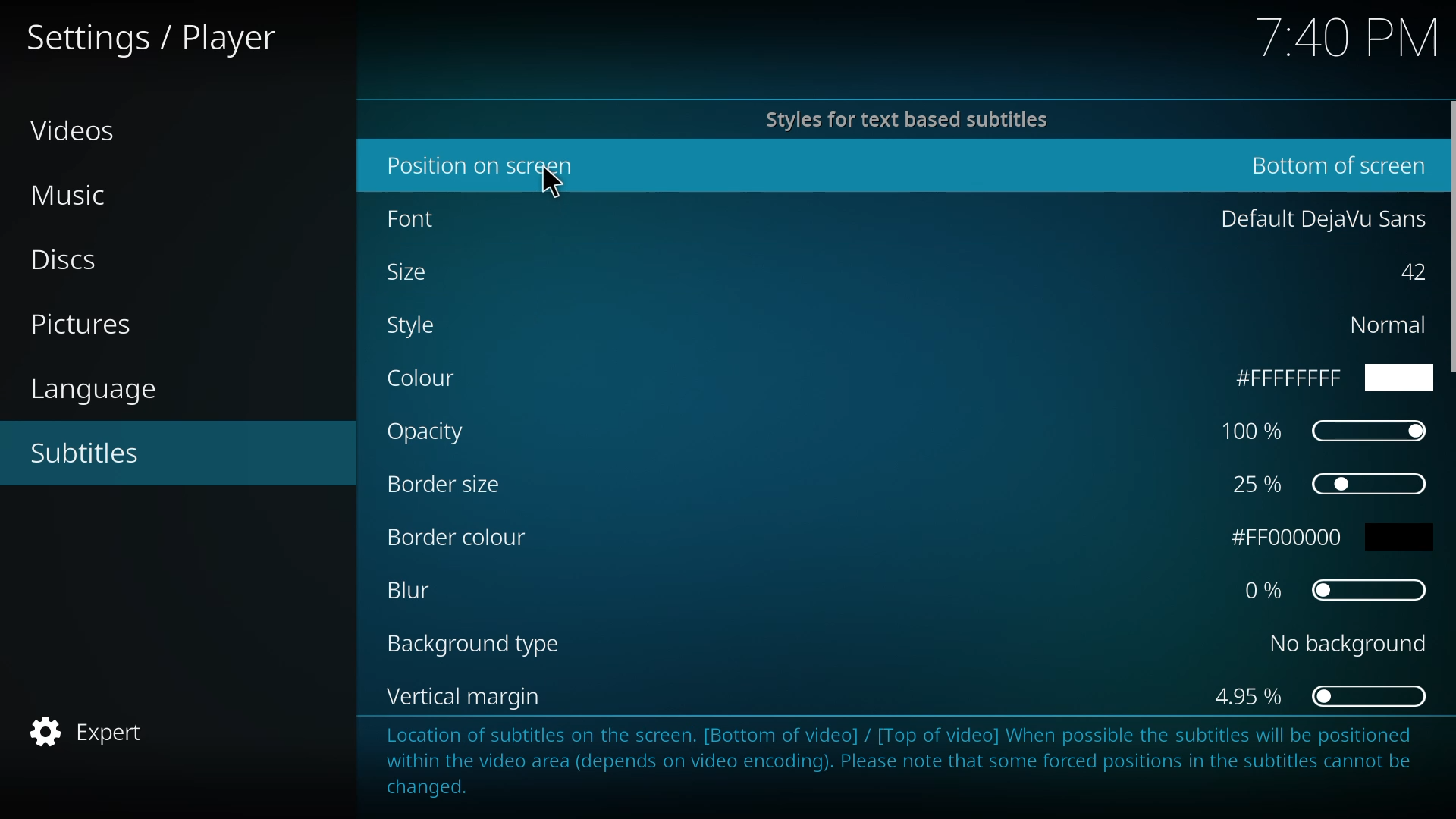 Image resolution: width=1456 pixels, height=819 pixels. What do you see at coordinates (447, 483) in the screenshot?
I see `border size` at bounding box center [447, 483].